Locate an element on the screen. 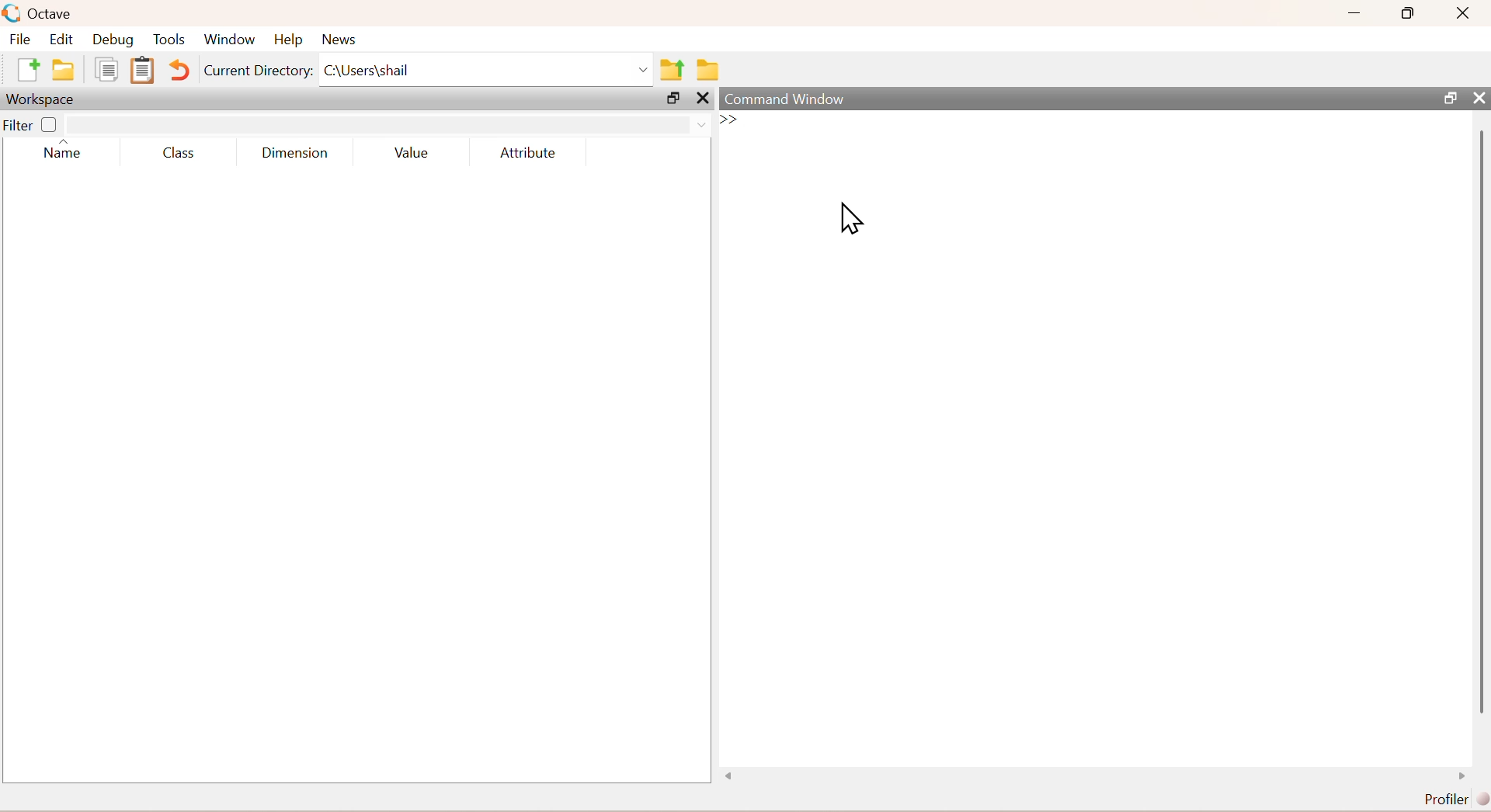 This screenshot has width=1491, height=812. name is located at coordinates (63, 152).